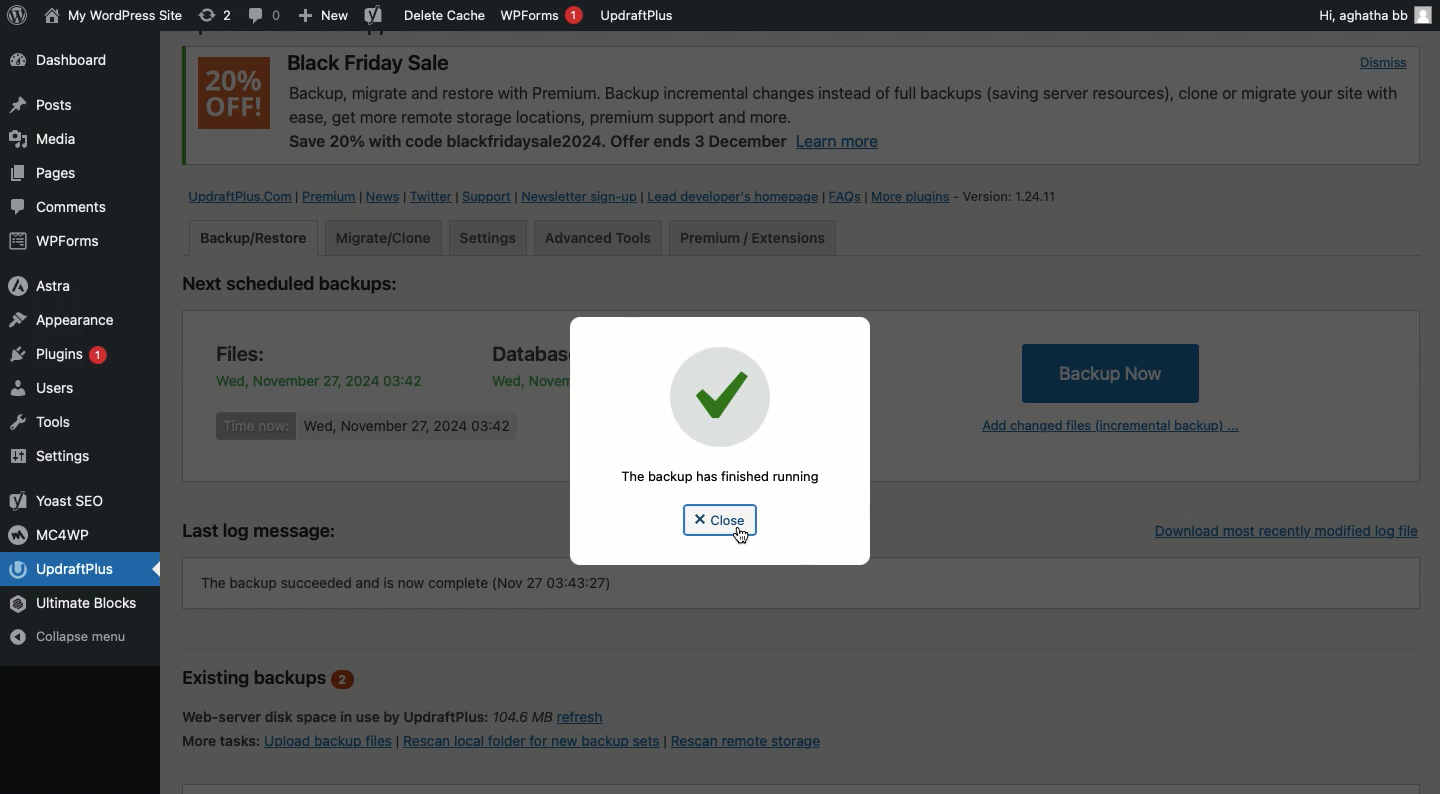  I want to click on UpdraftPlus, so click(638, 15).